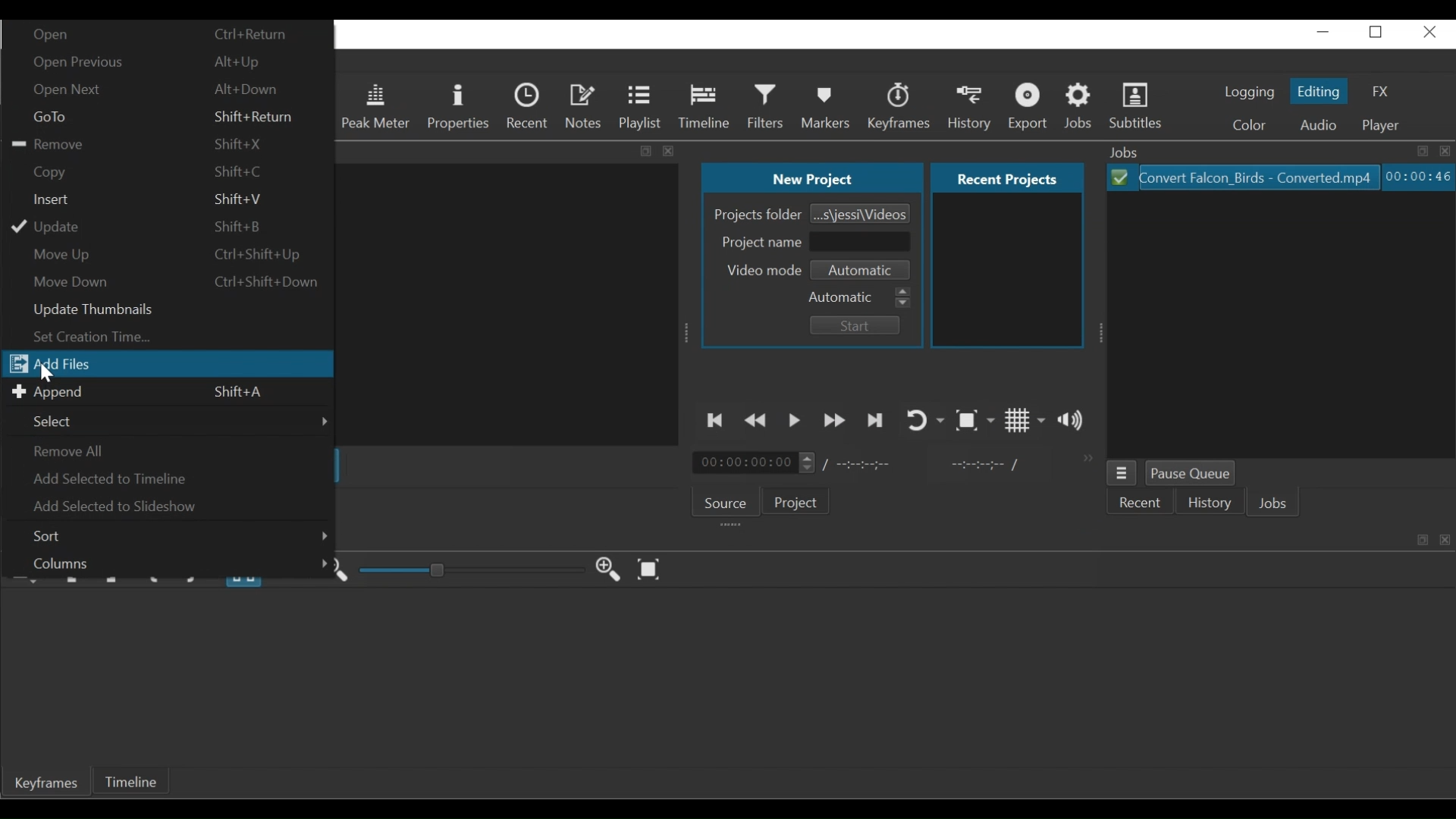 The image size is (1456, 819). I want to click on Project Name , so click(758, 242).